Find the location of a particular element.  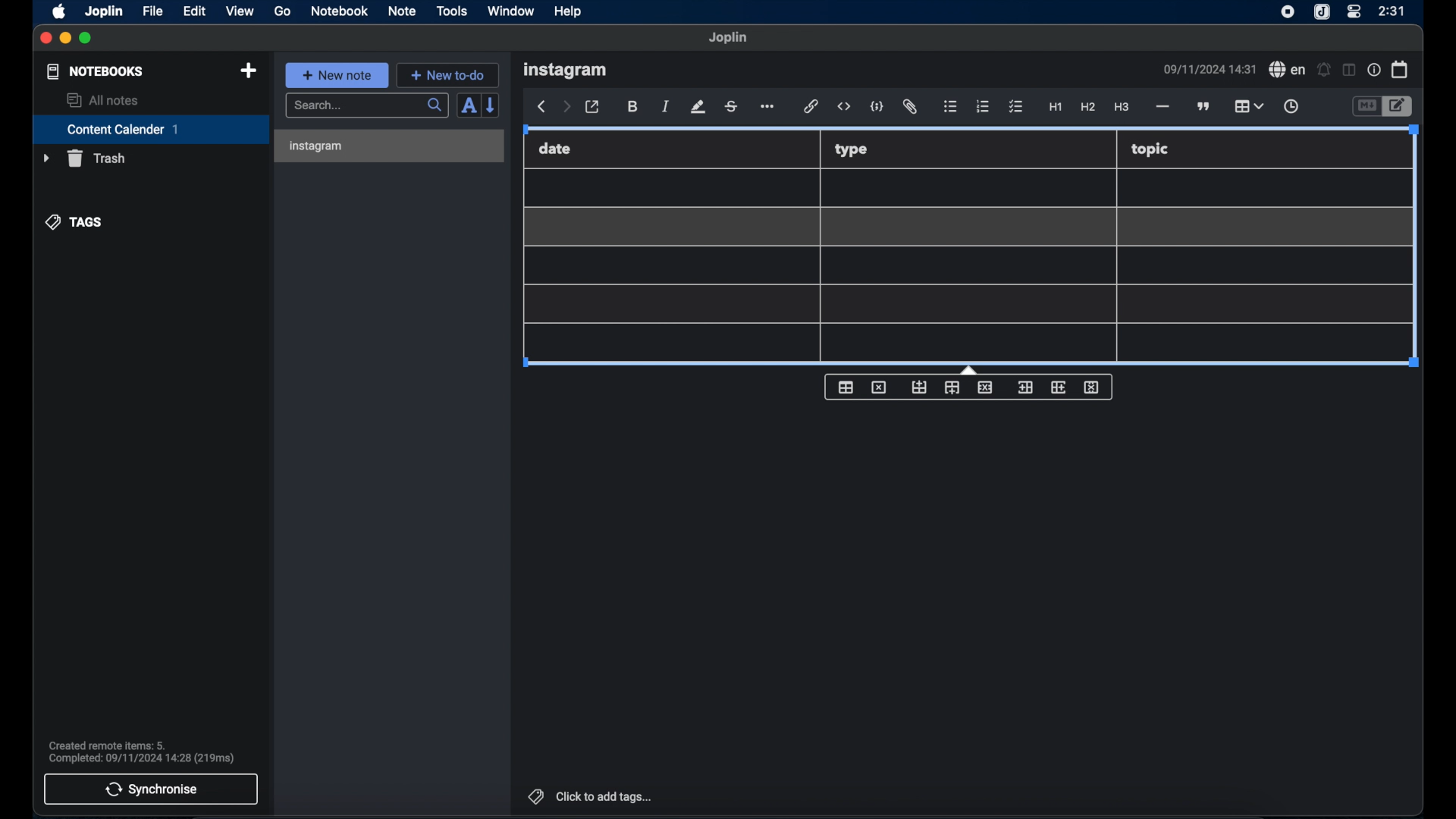

search bar is located at coordinates (368, 106).